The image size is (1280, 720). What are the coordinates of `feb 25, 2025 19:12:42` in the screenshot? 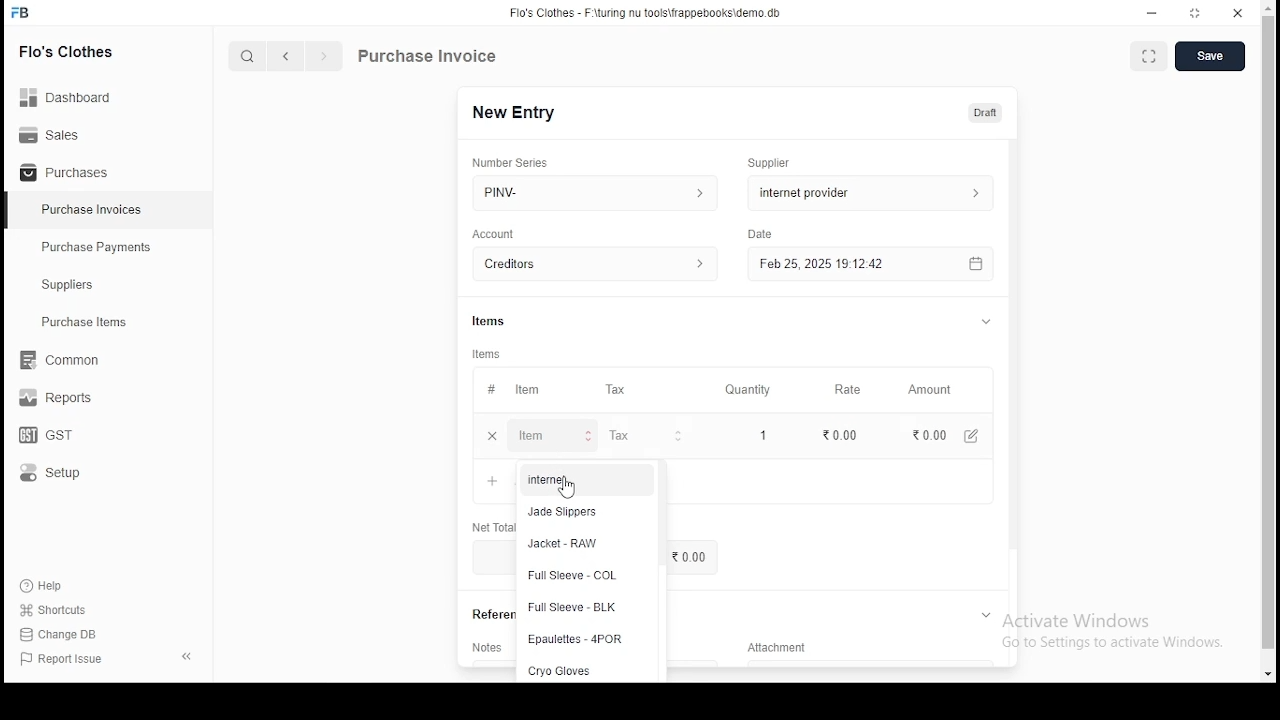 It's located at (877, 264).